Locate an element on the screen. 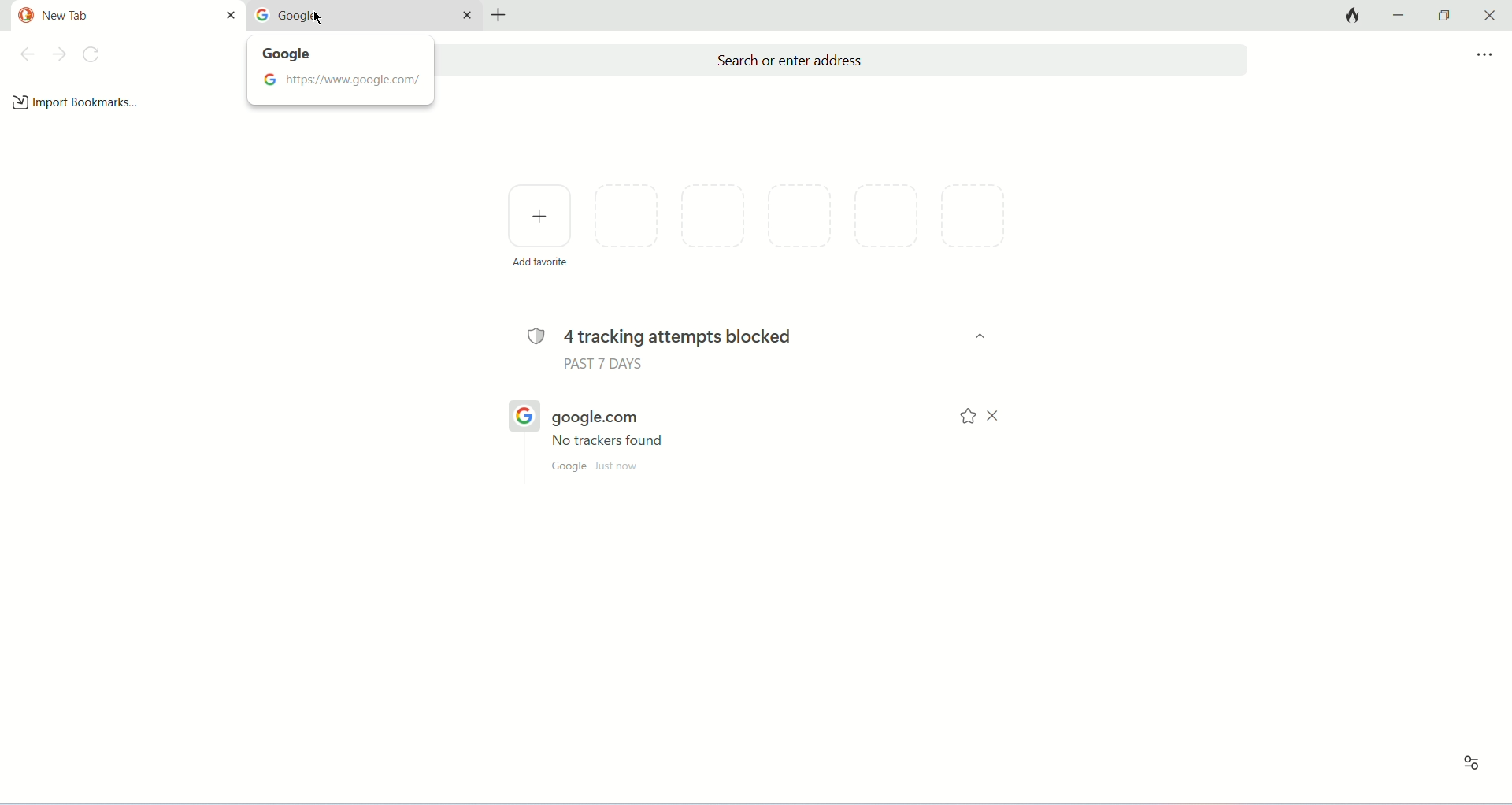 This screenshot has height=805, width=1512. google is located at coordinates (344, 16).